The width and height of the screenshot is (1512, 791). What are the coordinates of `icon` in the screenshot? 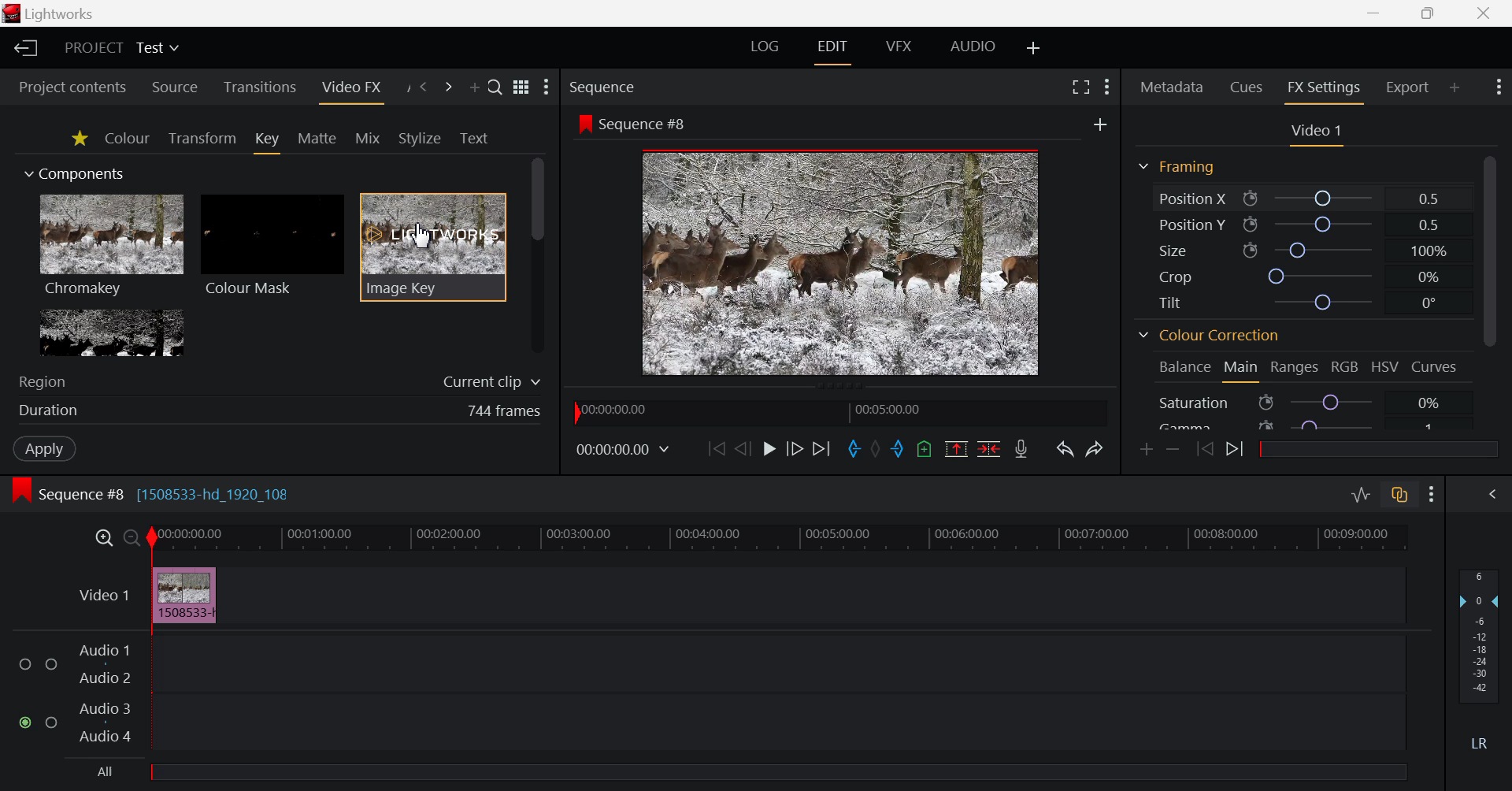 It's located at (1265, 425).